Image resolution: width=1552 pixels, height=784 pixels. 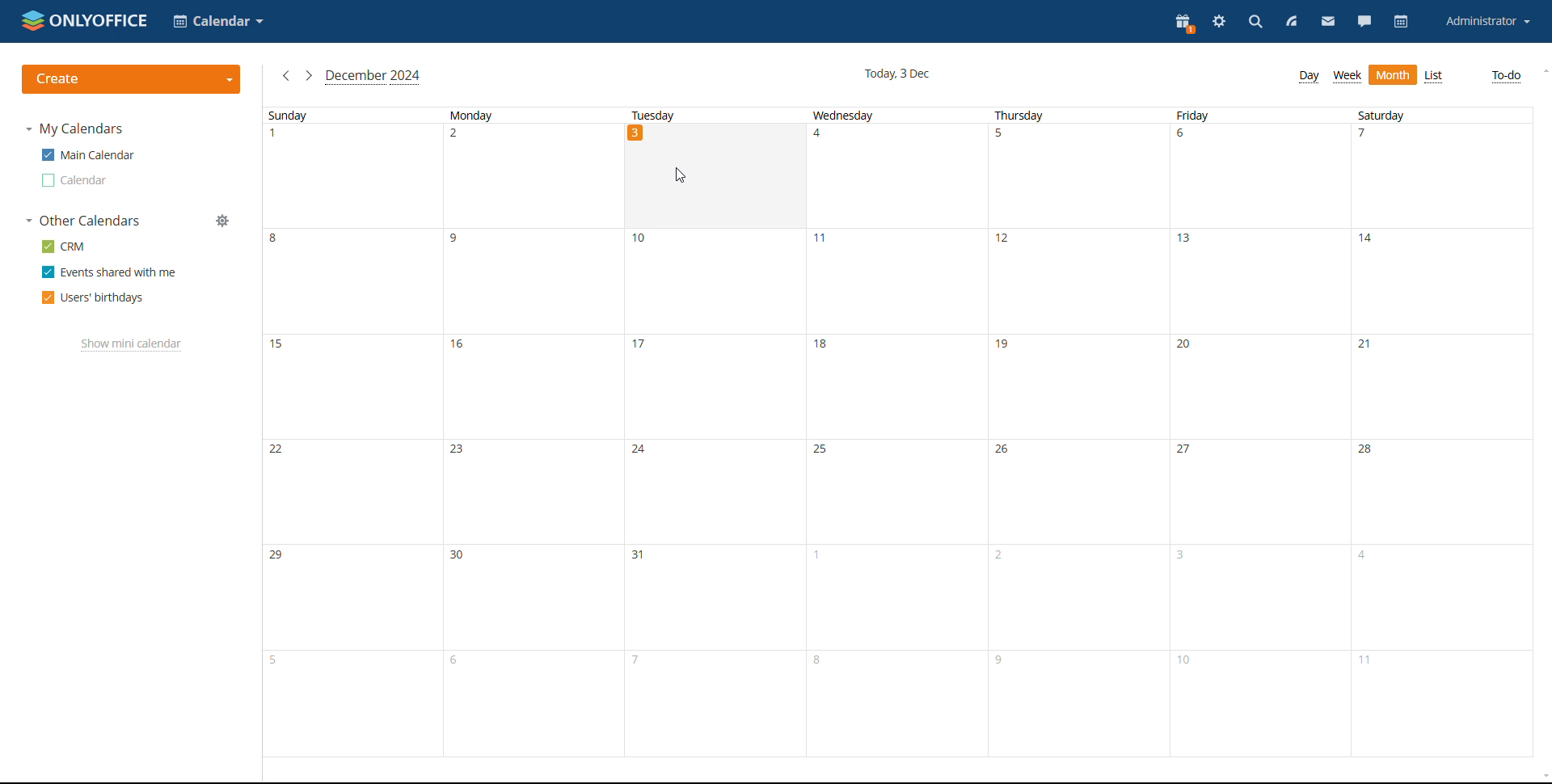 What do you see at coordinates (74, 129) in the screenshot?
I see `my calendars` at bounding box center [74, 129].